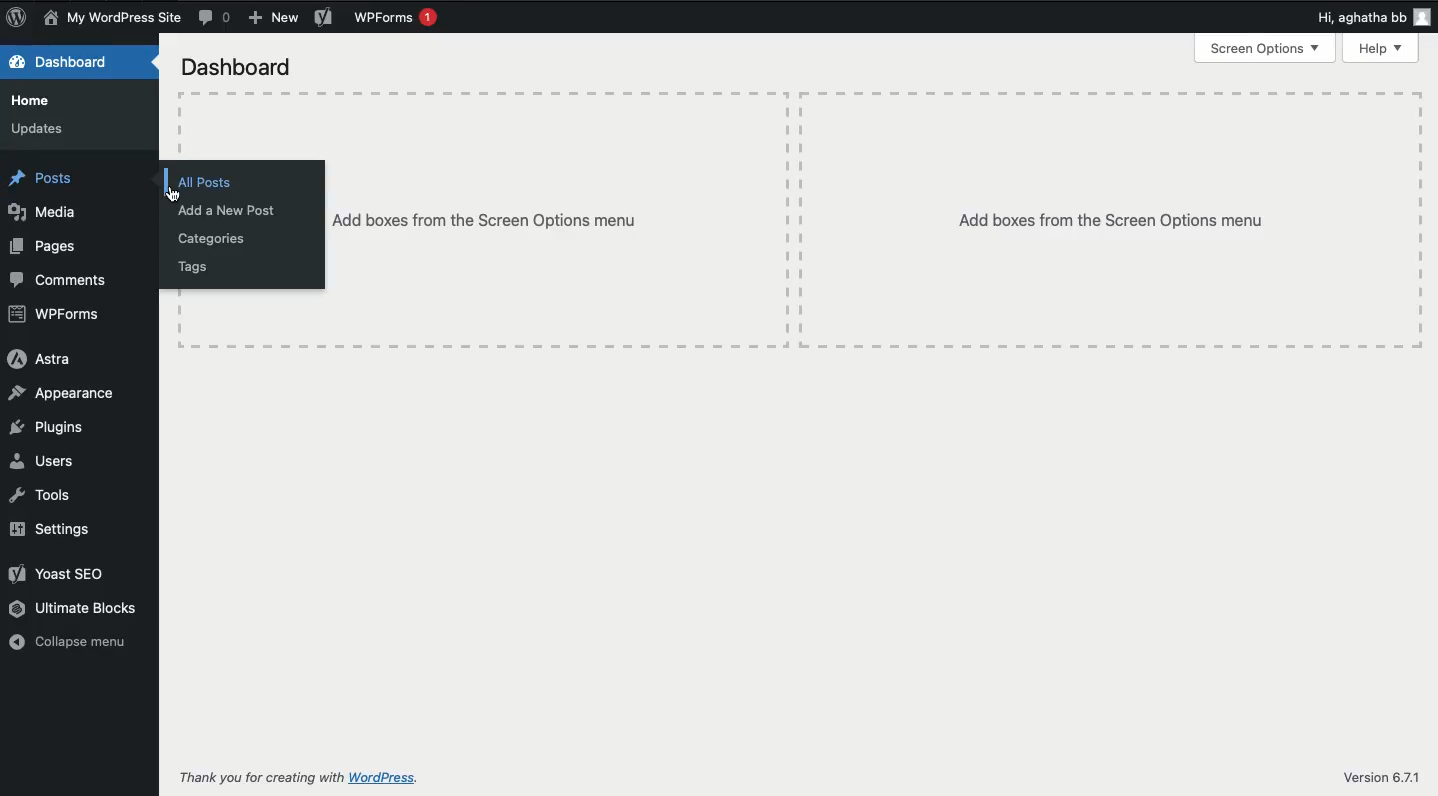 The width and height of the screenshot is (1438, 796). What do you see at coordinates (217, 19) in the screenshot?
I see `Comments` at bounding box center [217, 19].